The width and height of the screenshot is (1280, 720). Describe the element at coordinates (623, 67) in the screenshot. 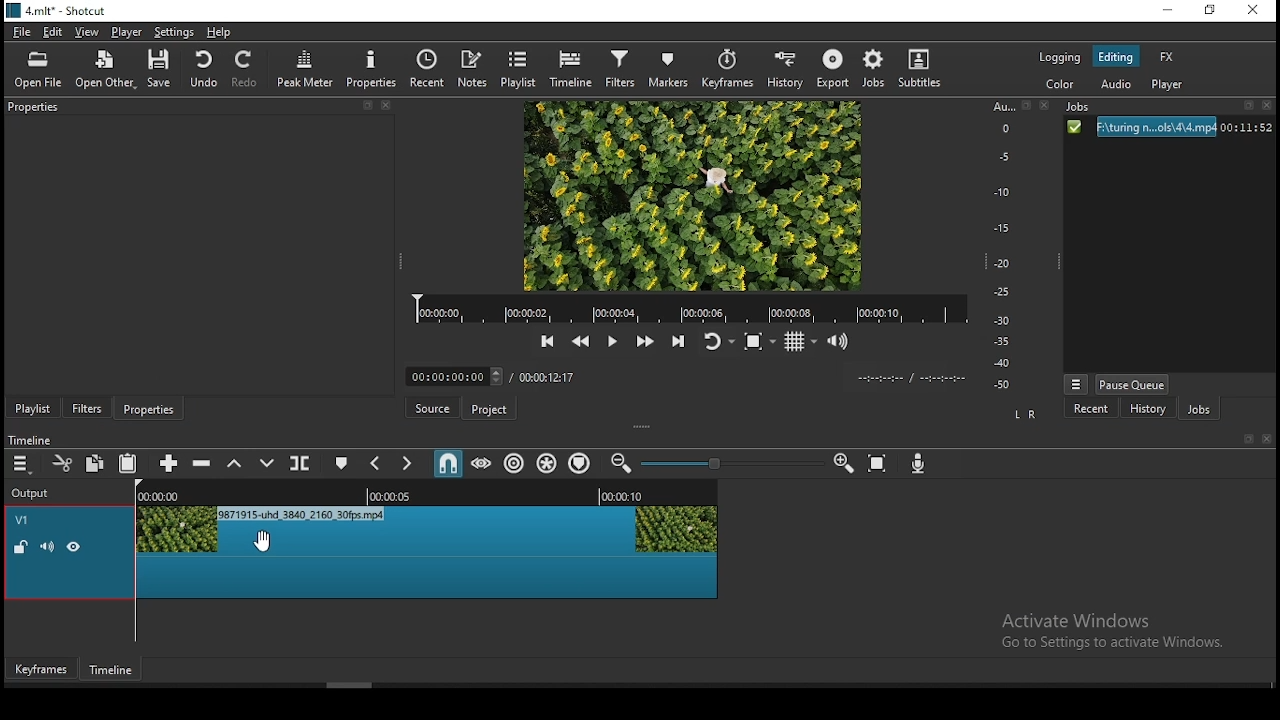

I see `filters` at that location.